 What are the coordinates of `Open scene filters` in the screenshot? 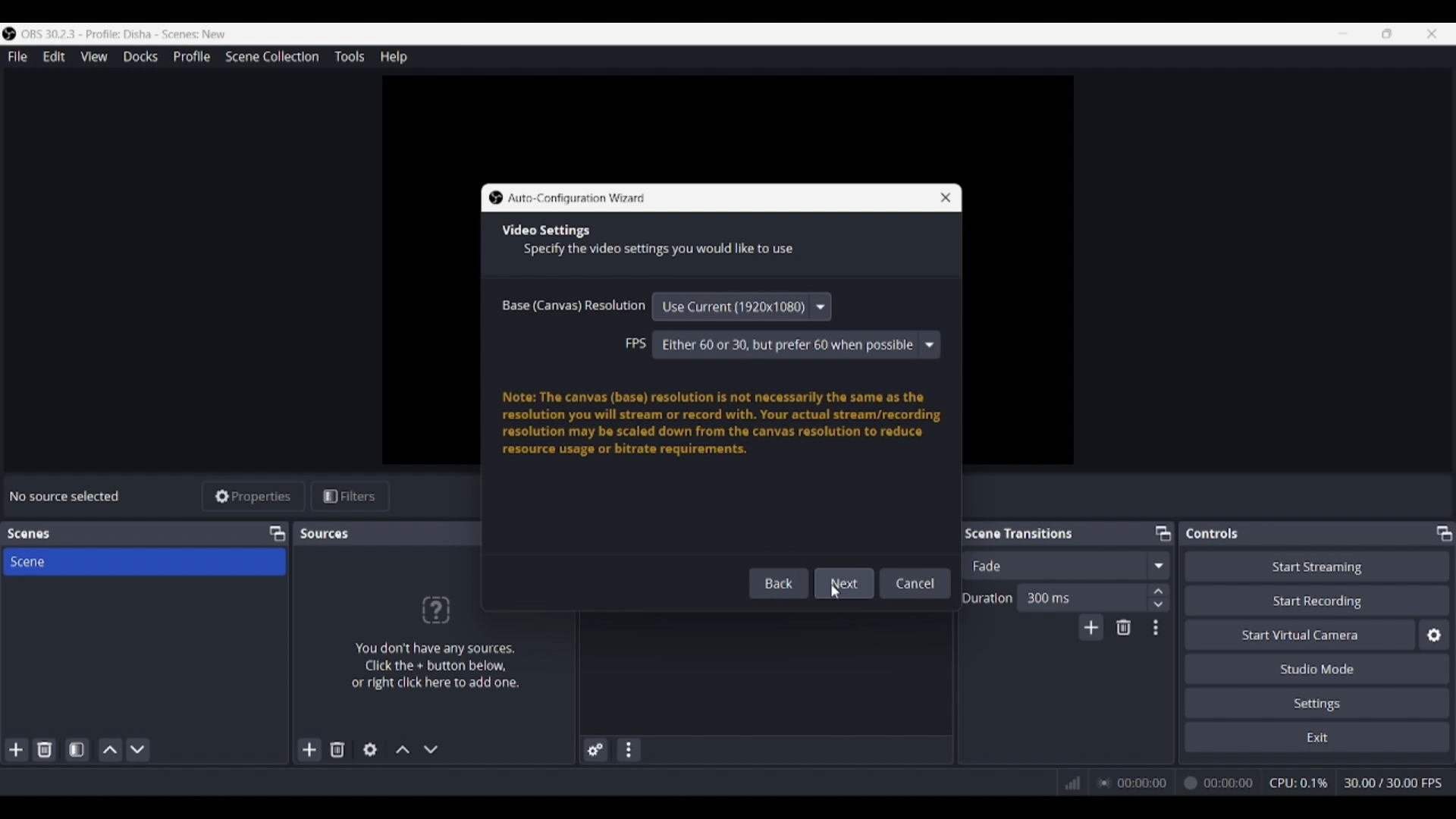 It's located at (77, 749).